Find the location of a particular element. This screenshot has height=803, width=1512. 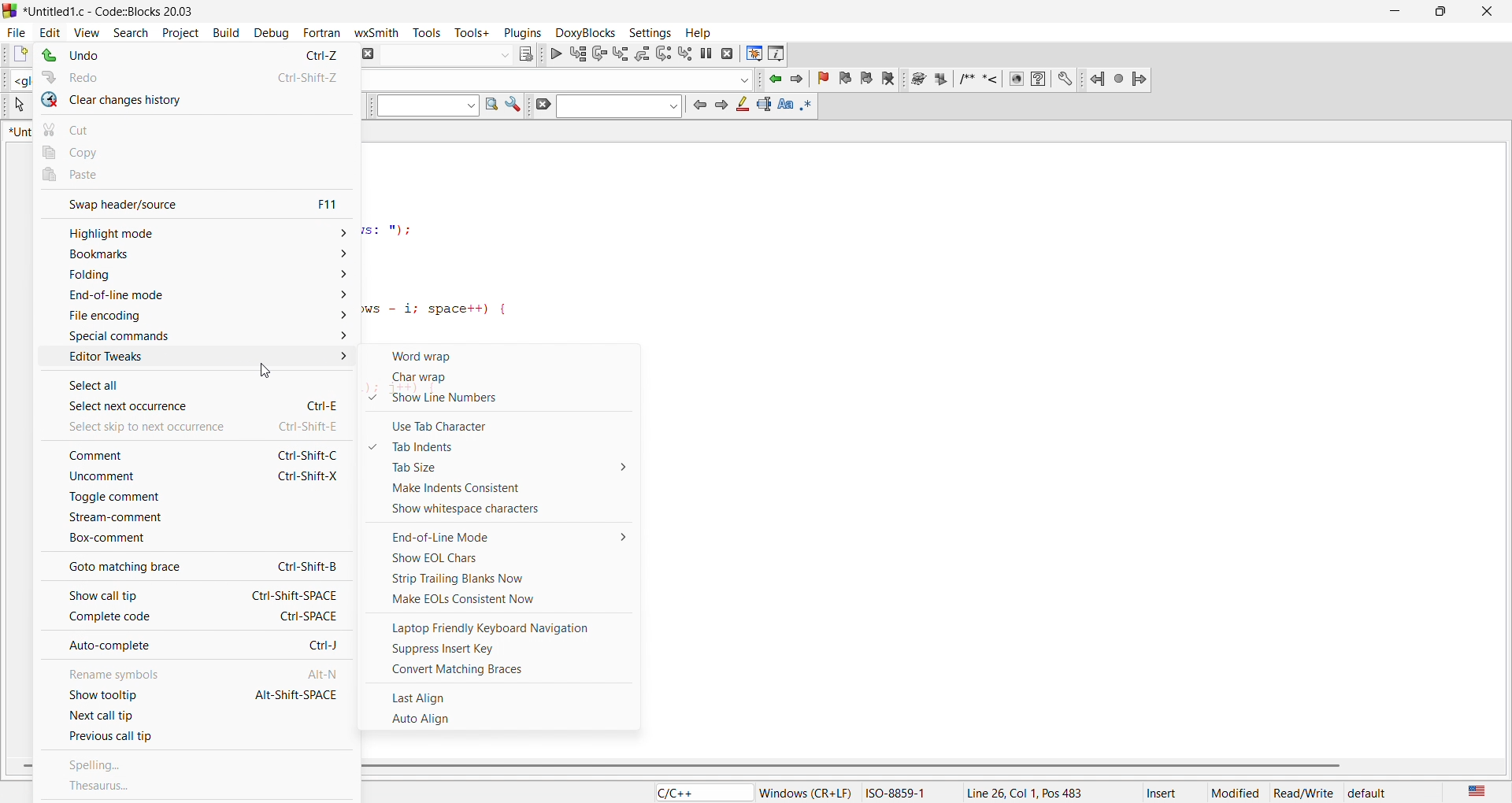

file is located at coordinates (17, 30).